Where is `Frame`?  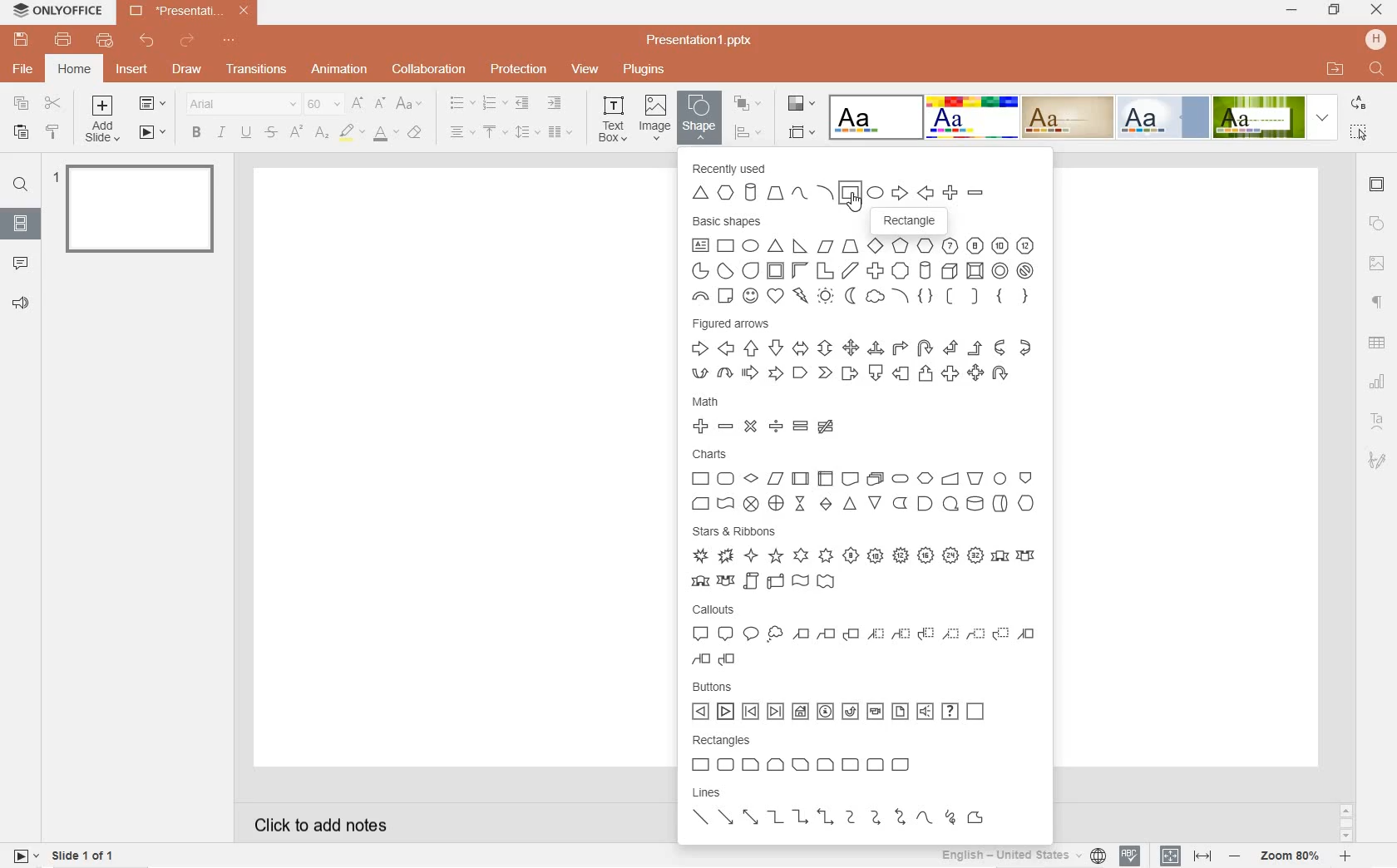 Frame is located at coordinates (776, 271).